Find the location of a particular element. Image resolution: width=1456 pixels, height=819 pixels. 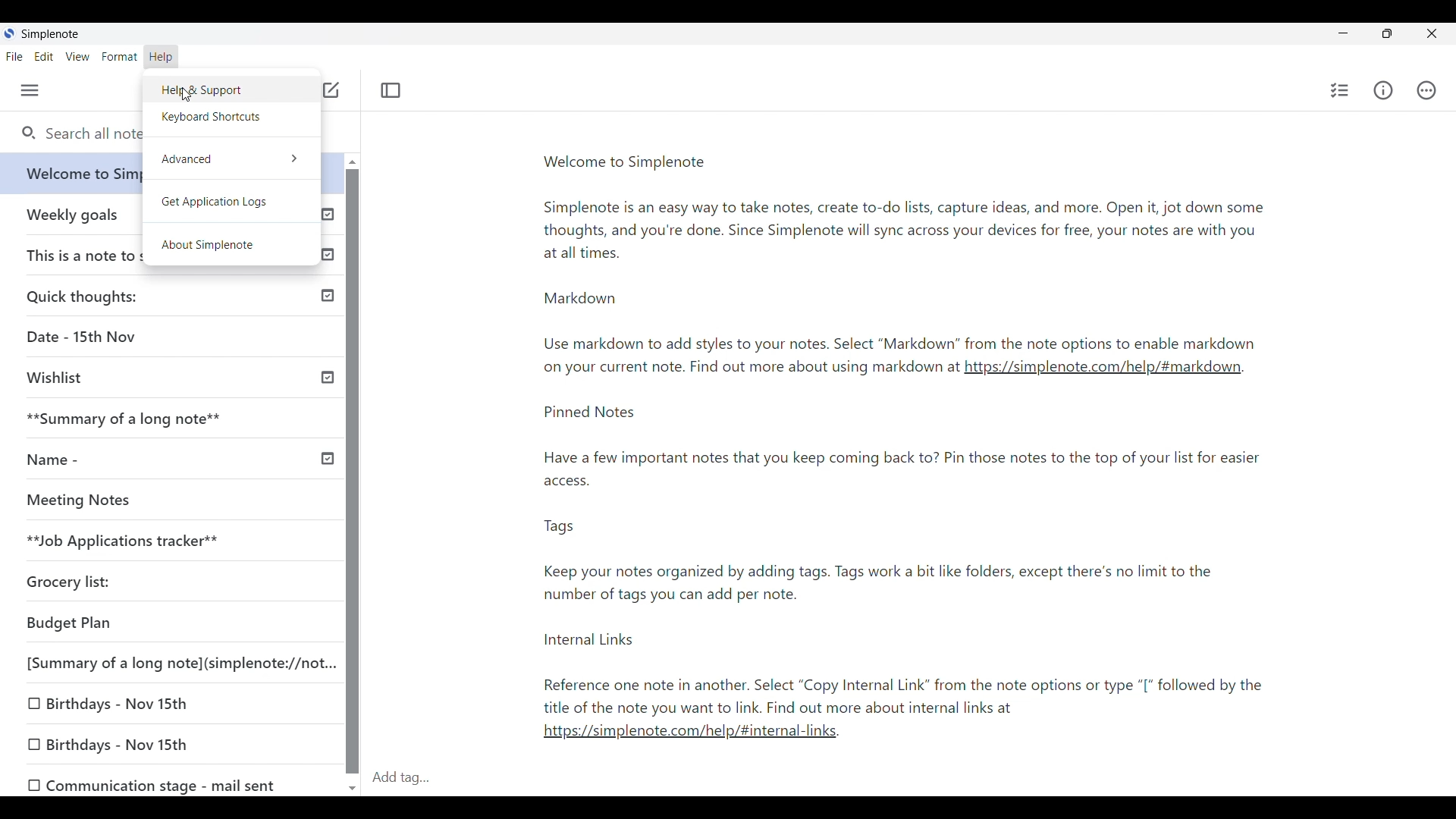

Vertical slide bar is located at coordinates (353, 471).